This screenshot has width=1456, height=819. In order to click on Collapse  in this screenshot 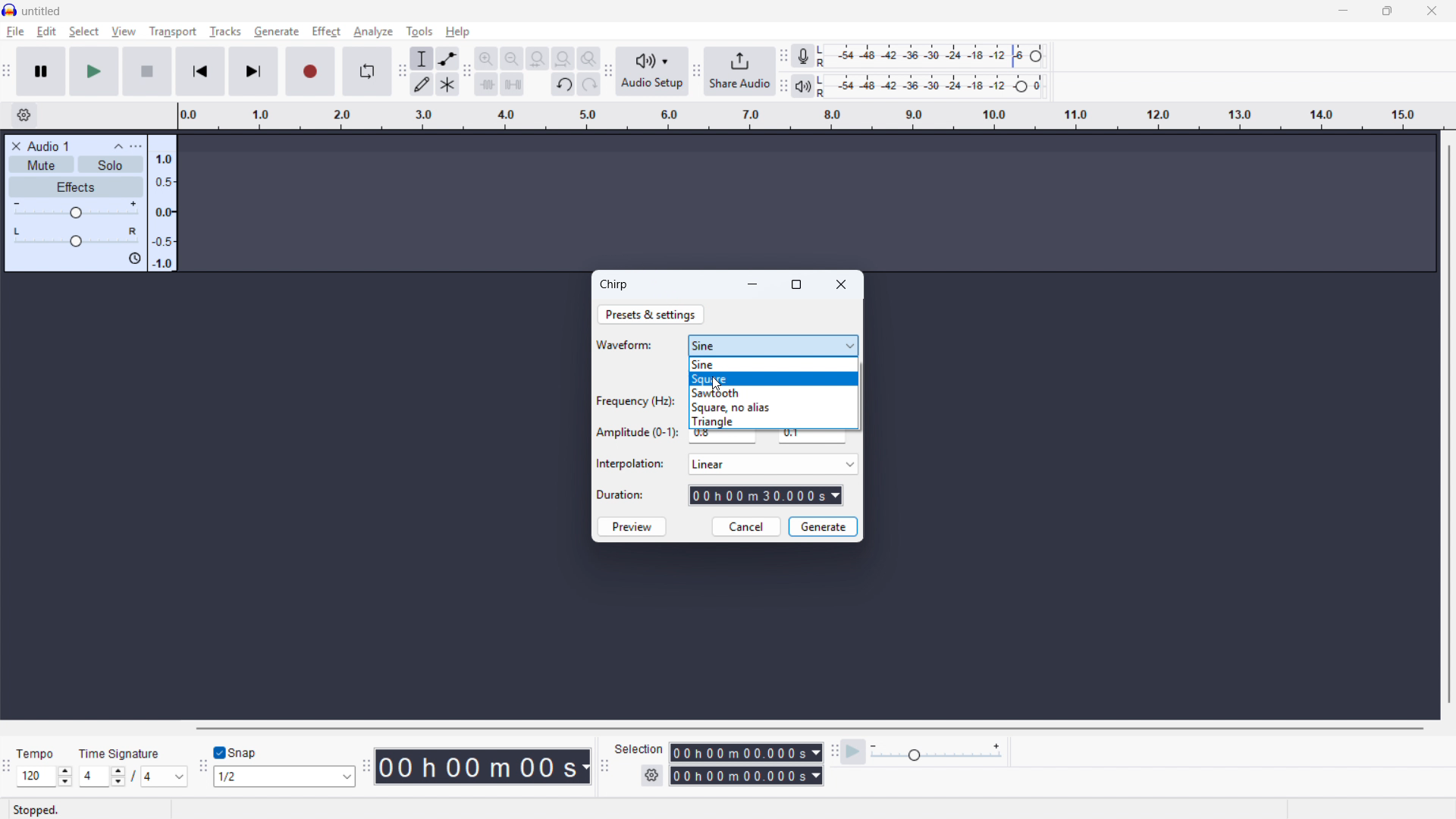, I will do `click(118, 146)`.